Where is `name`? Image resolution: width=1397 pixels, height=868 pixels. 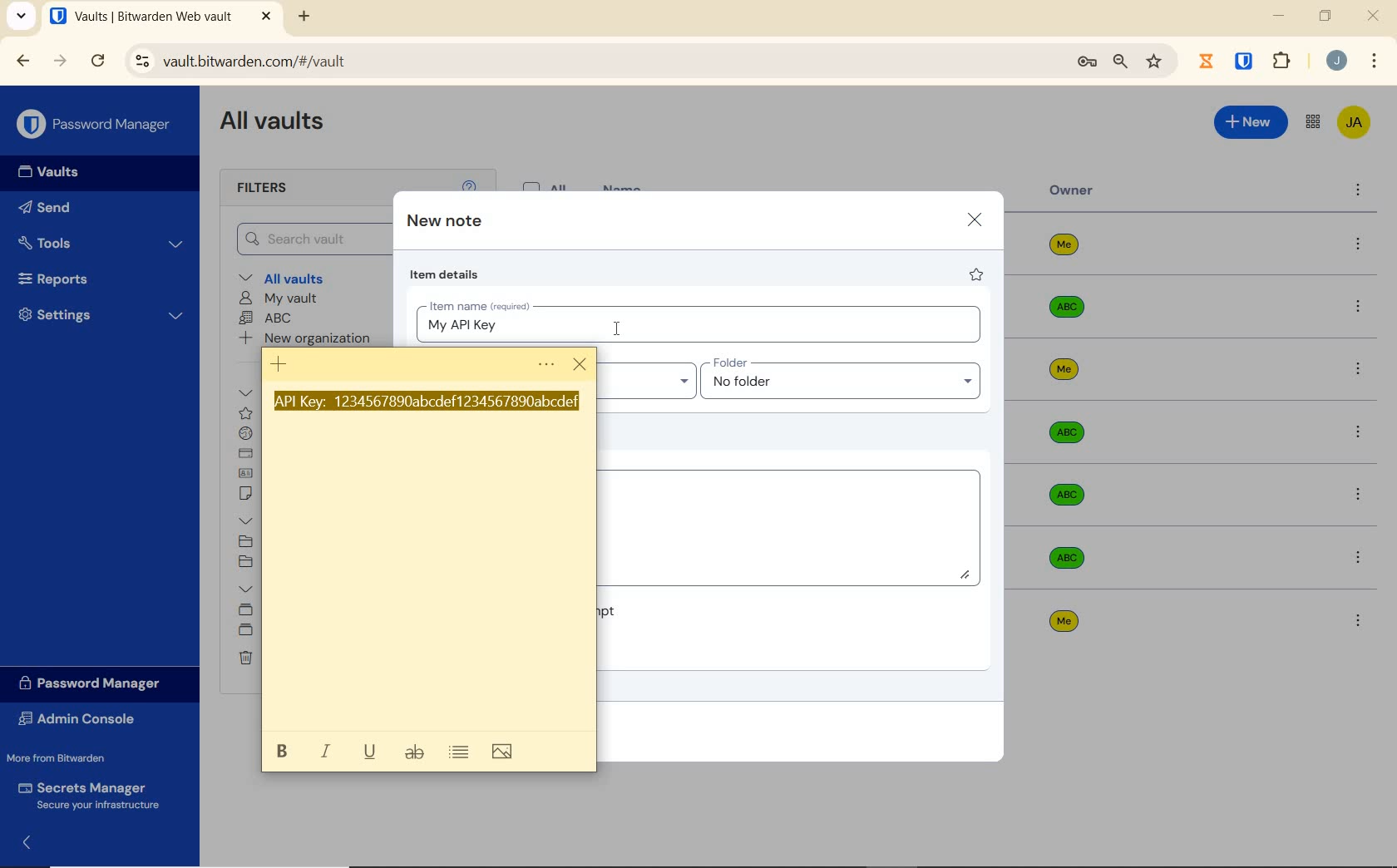 name is located at coordinates (624, 186).